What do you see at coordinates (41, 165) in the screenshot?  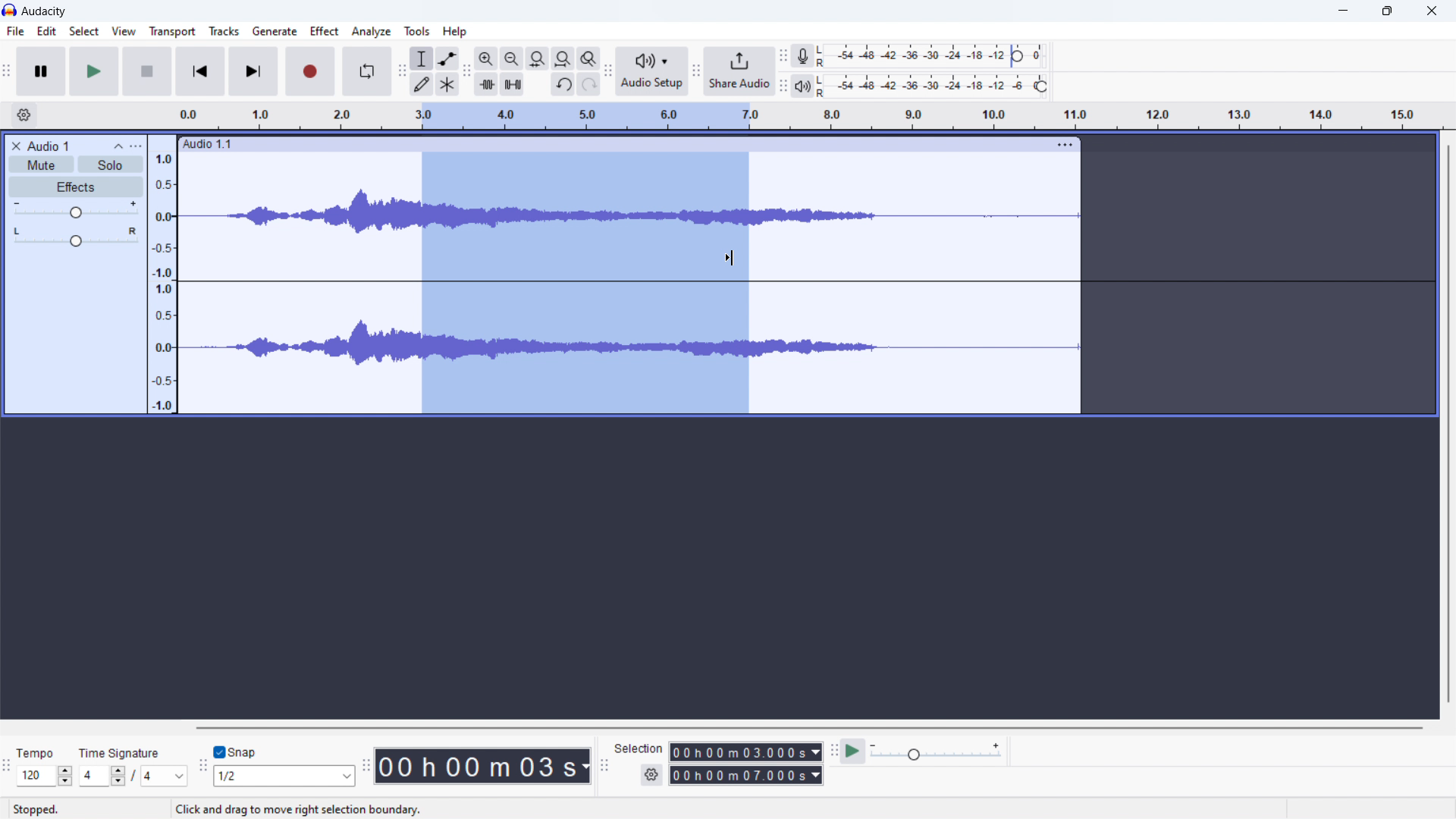 I see `mute` at bounding box center [41, 165].